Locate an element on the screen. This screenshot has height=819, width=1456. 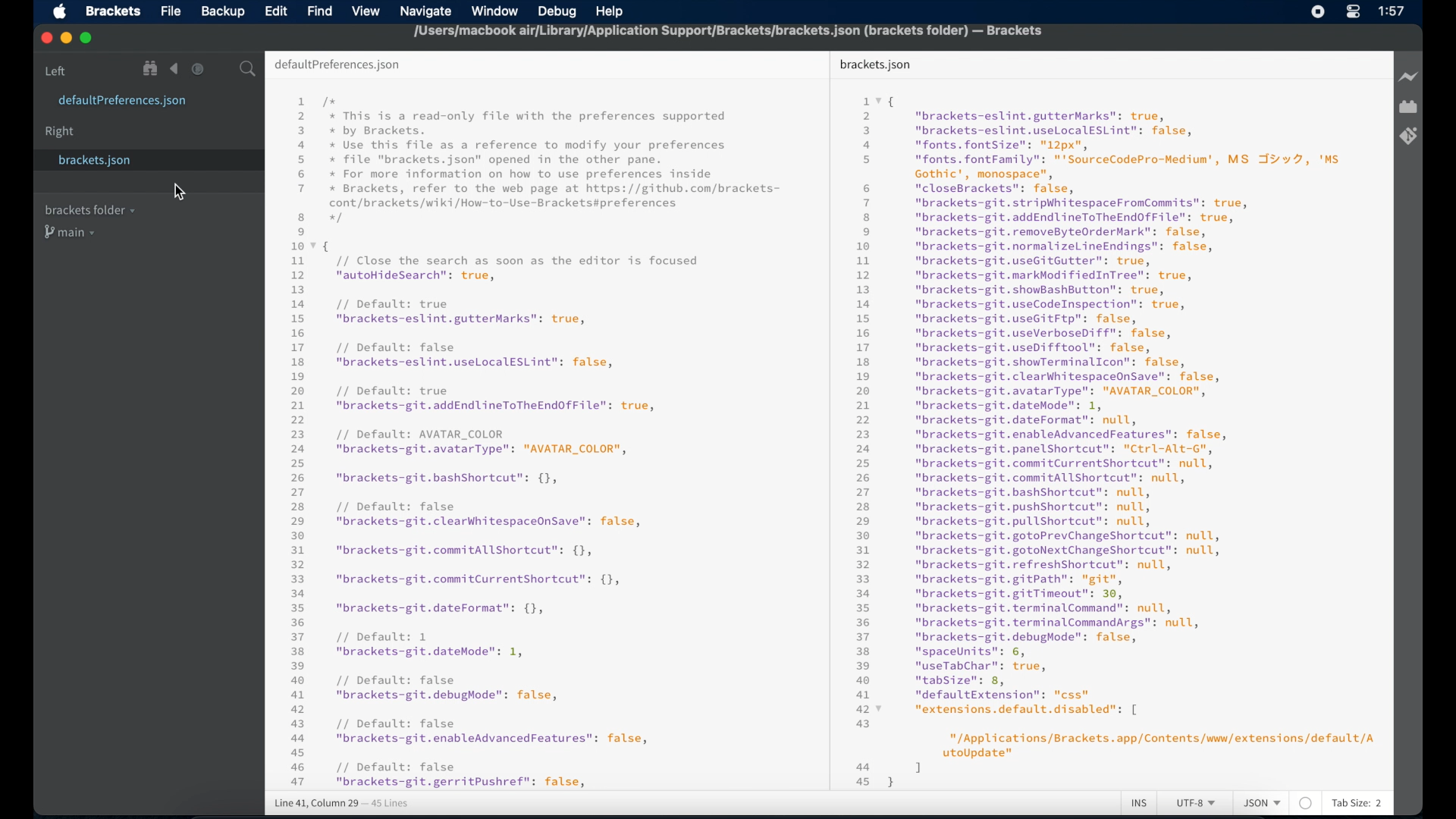
brackets folder is located at coordinates (89, 209).